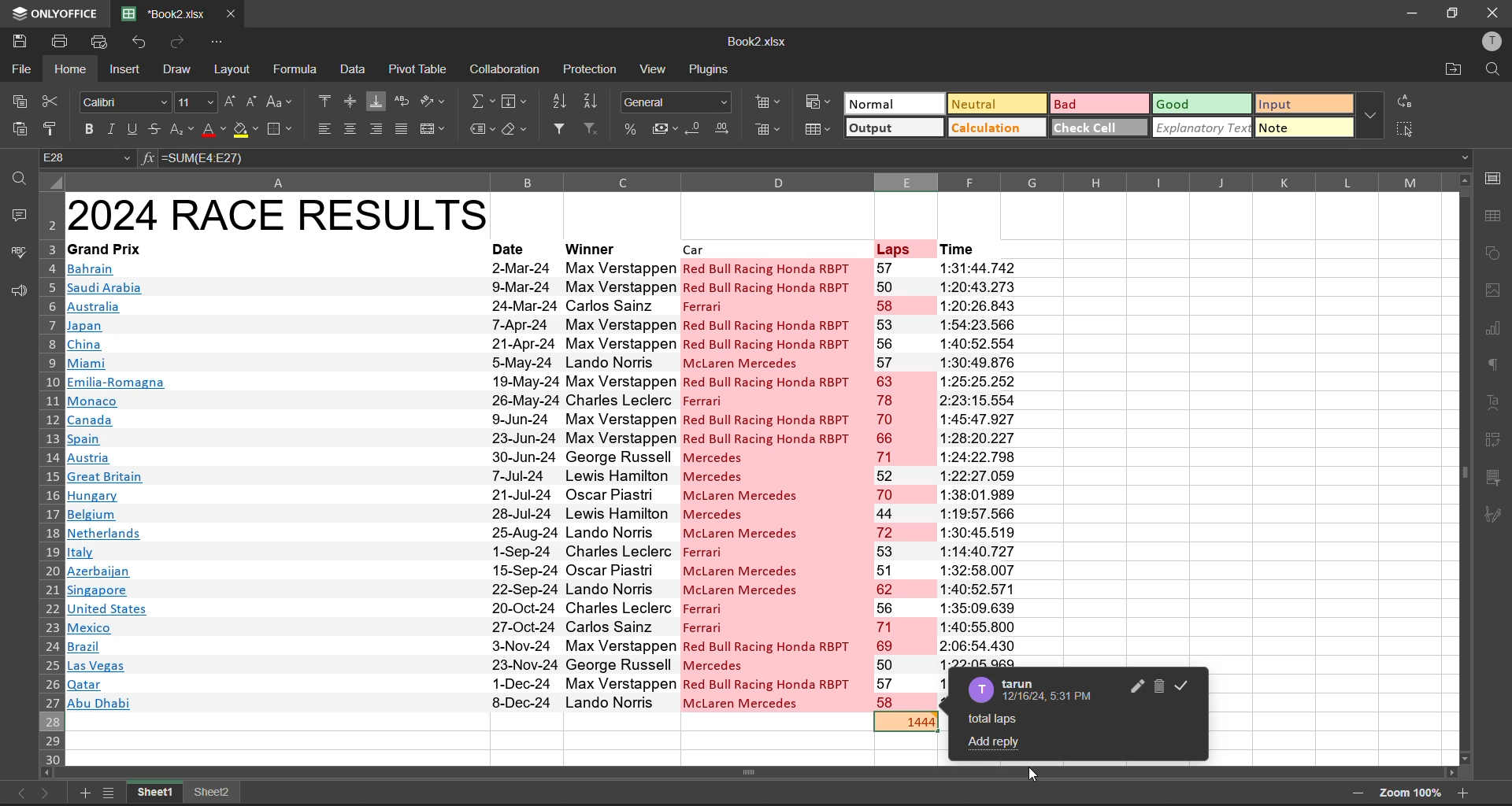 The height and width of the screenshot is (806, 1512). What do you see at coordinates (1492, 326) in the screenshot?
I see `charts` at bounding box center [1492, 326].